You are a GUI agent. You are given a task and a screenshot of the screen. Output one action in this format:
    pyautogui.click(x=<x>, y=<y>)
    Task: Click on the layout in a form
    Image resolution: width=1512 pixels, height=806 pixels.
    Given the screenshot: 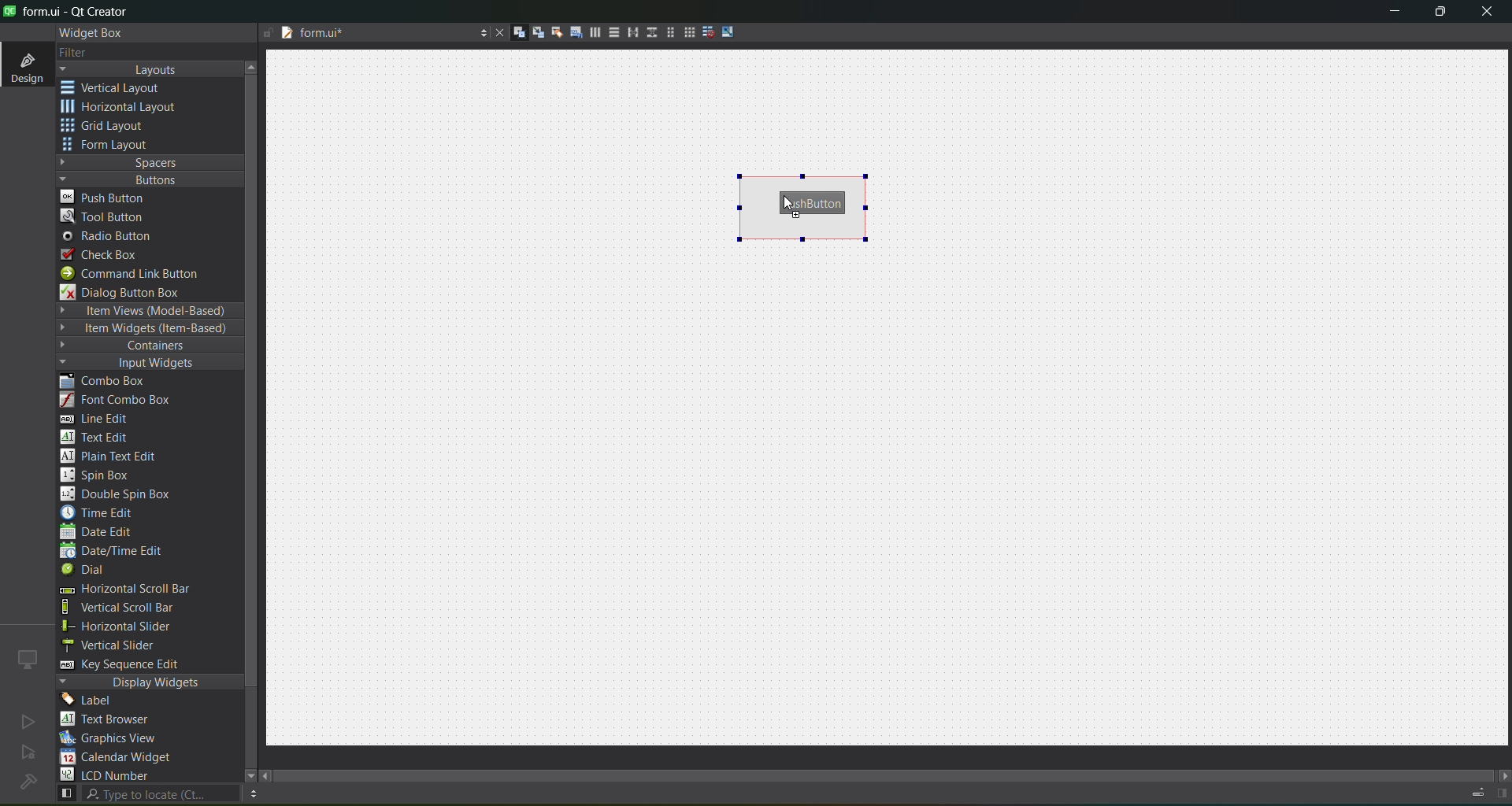 What is the action you would take?
    pyautogui.click(x=665, y=32)
    